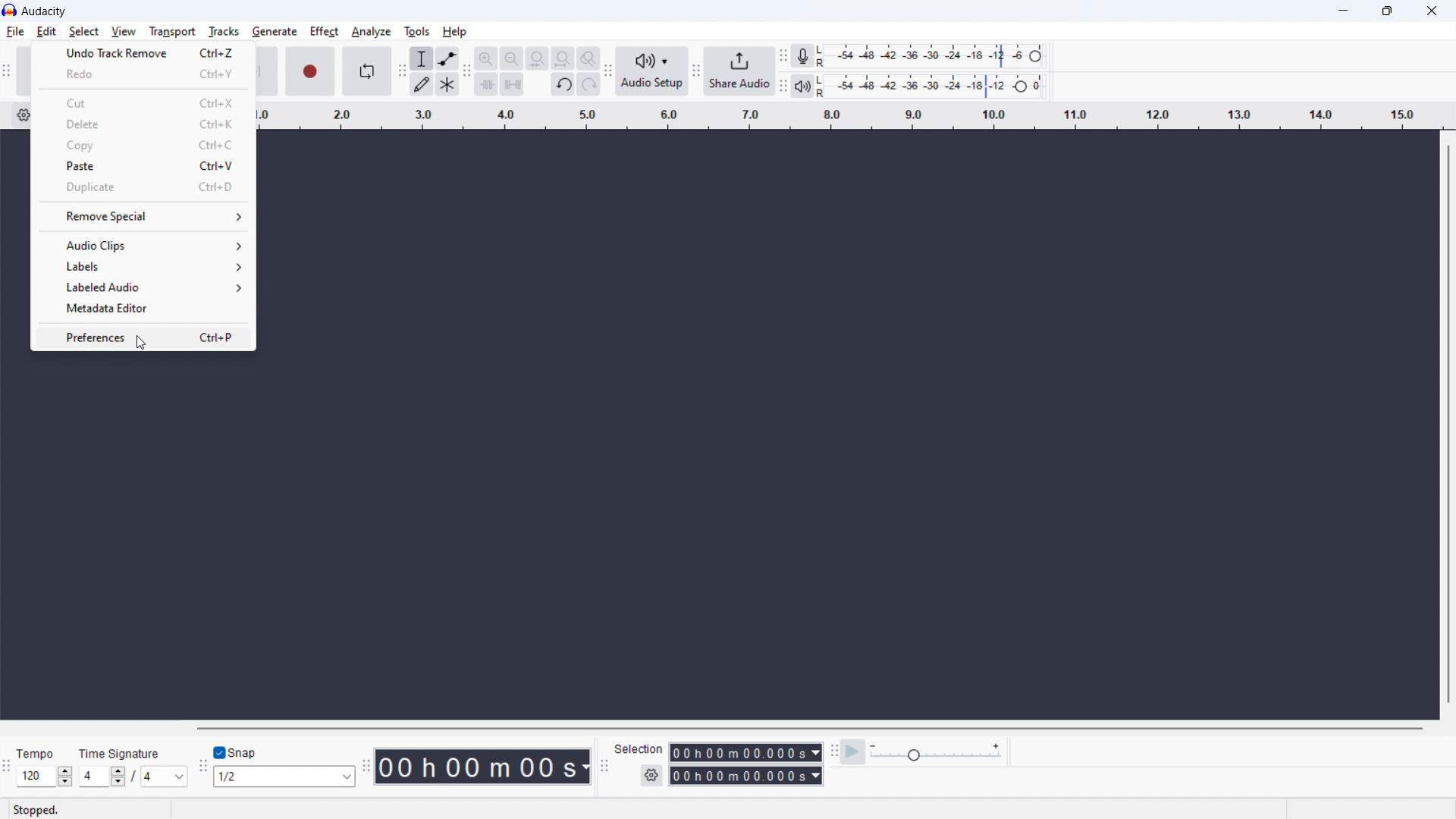 This screenshot has height=819, width=1456. I want to click on close, so click(1430, 11).